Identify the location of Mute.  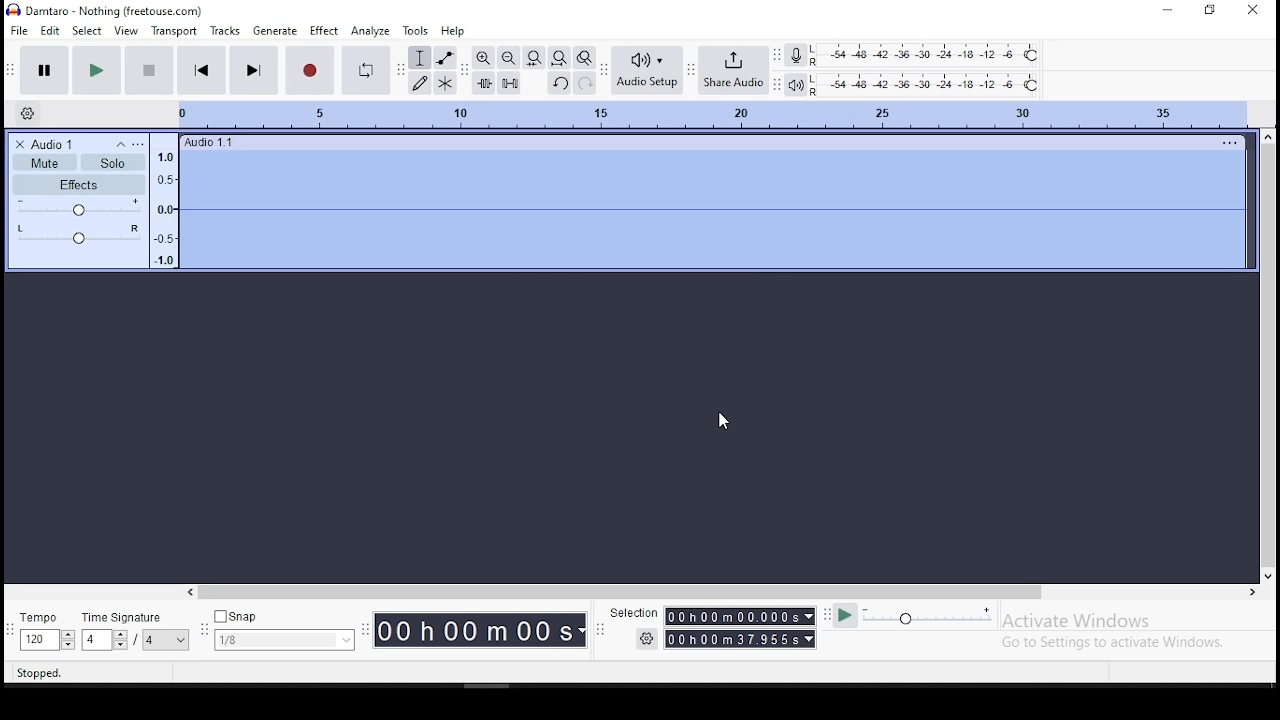
(45, 164).